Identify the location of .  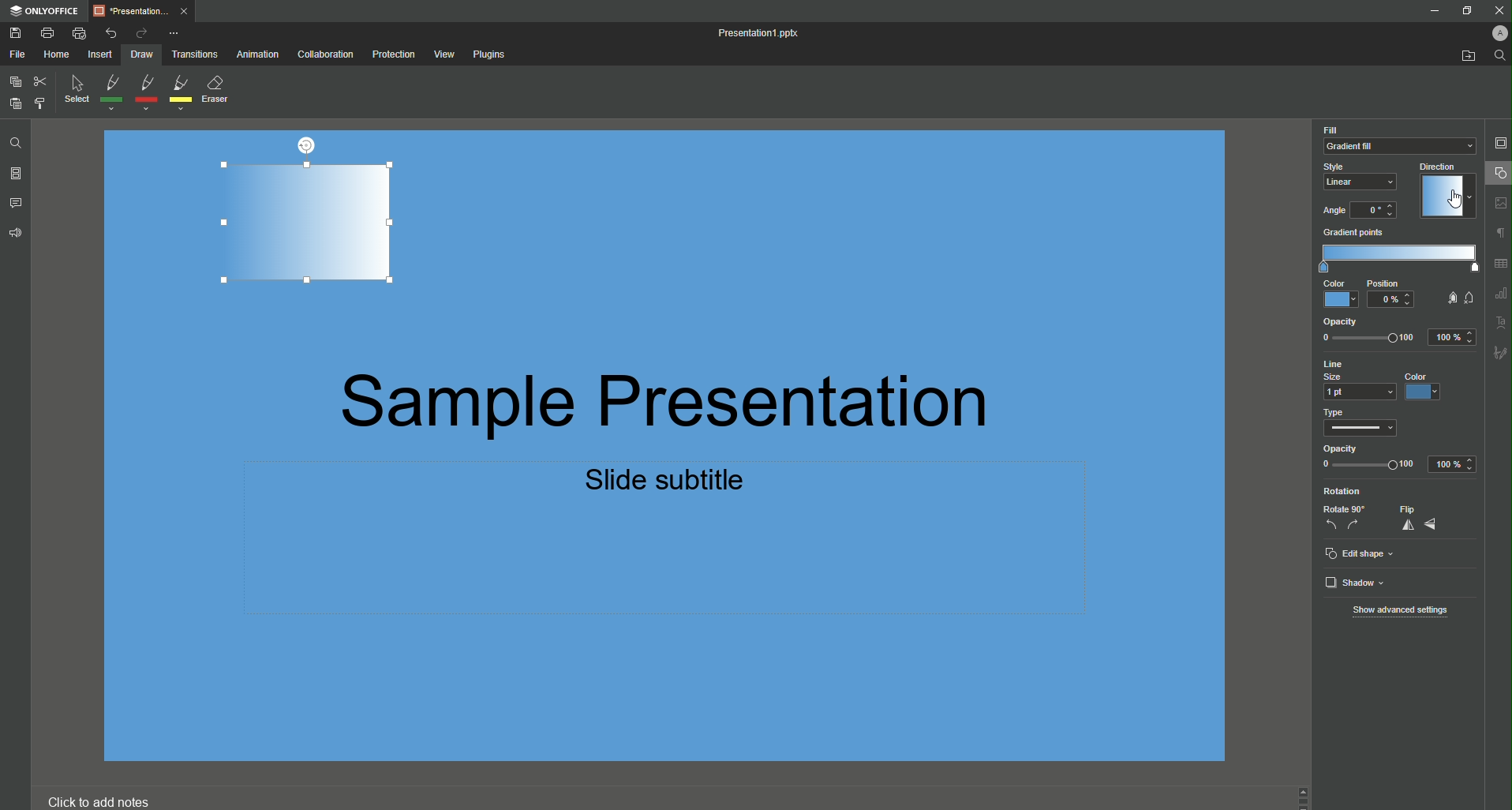
(1335, 294).